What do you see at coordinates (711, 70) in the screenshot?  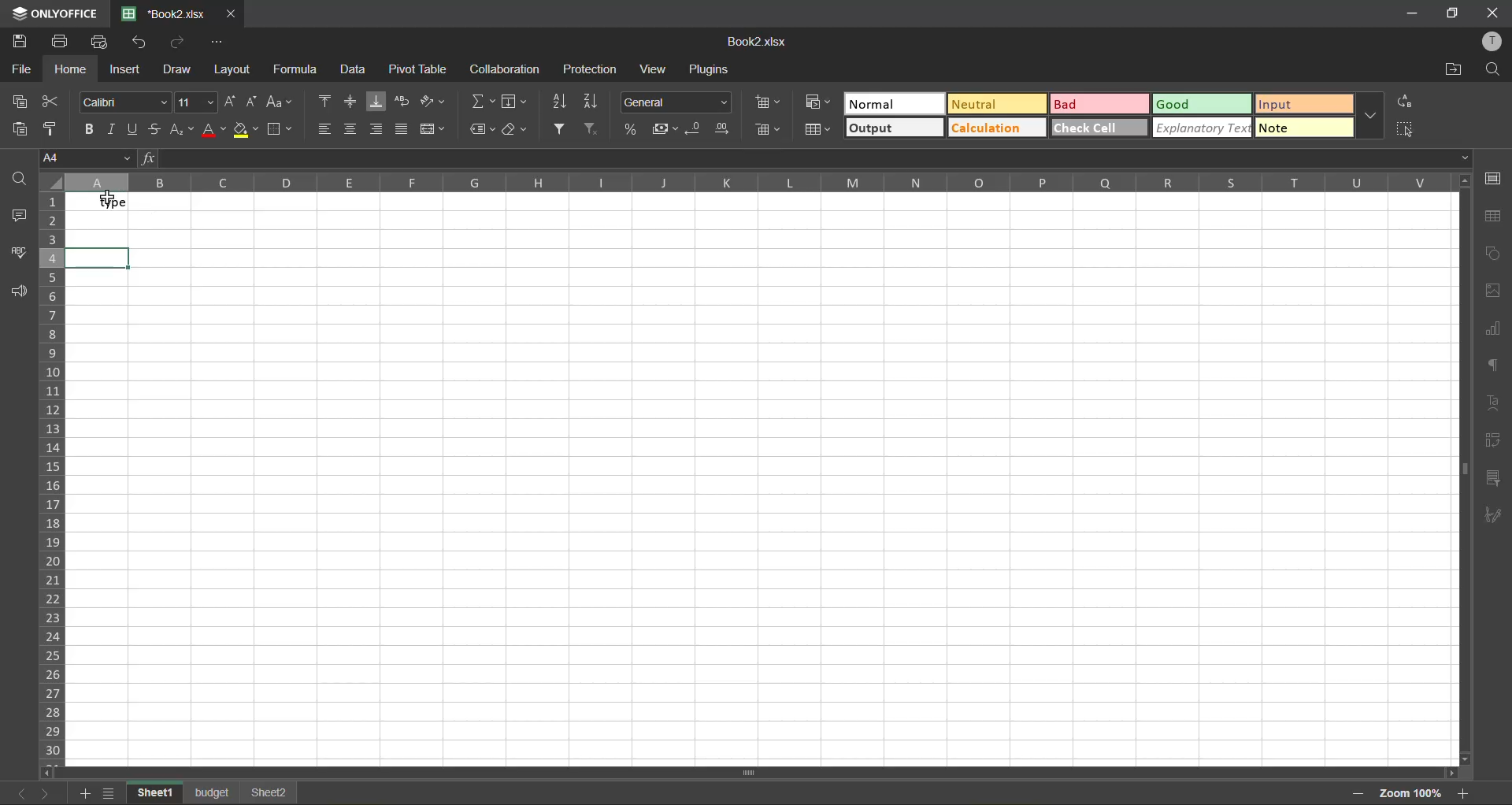 I see `plugins` at bounding box center [711, 70].